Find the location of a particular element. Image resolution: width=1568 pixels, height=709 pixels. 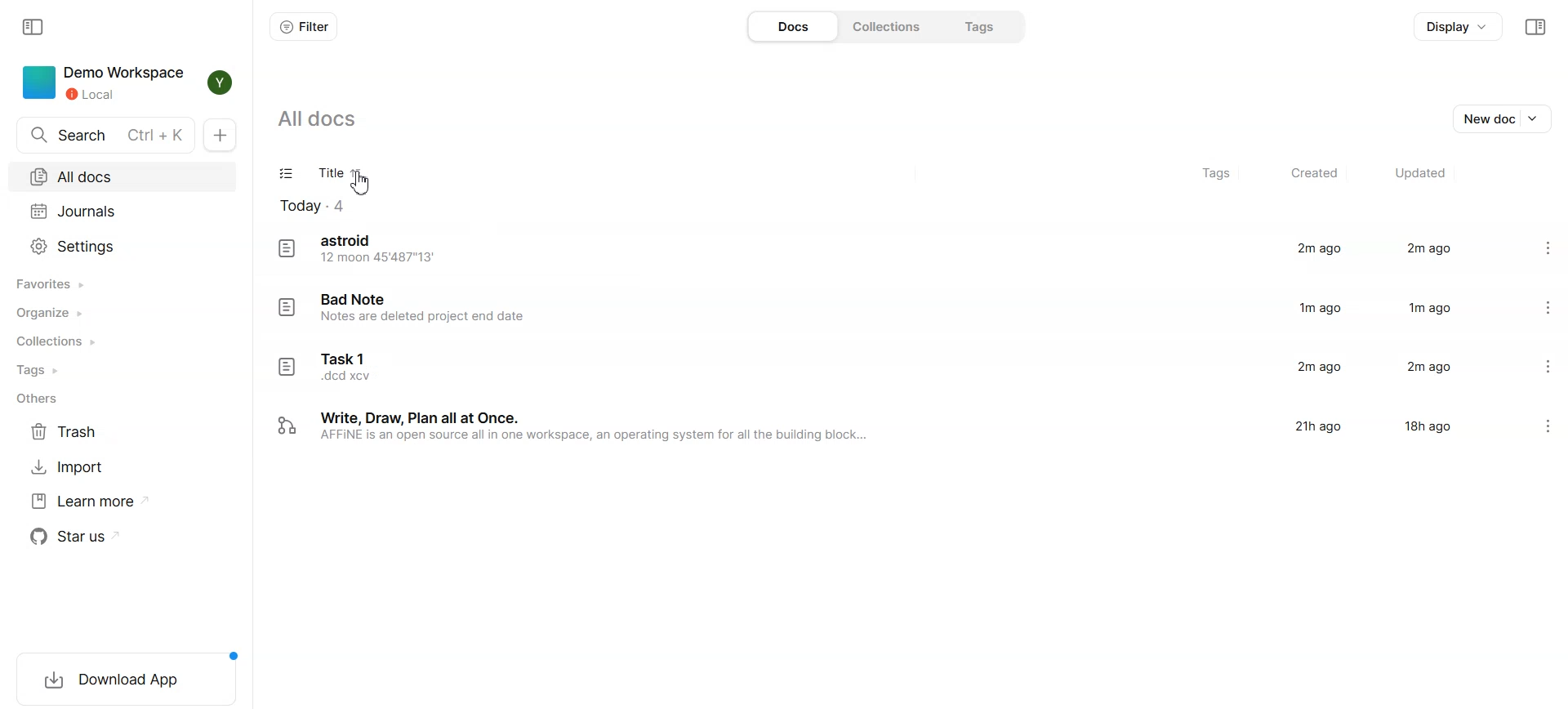

1m ago is located at coordinates (1429, 307).